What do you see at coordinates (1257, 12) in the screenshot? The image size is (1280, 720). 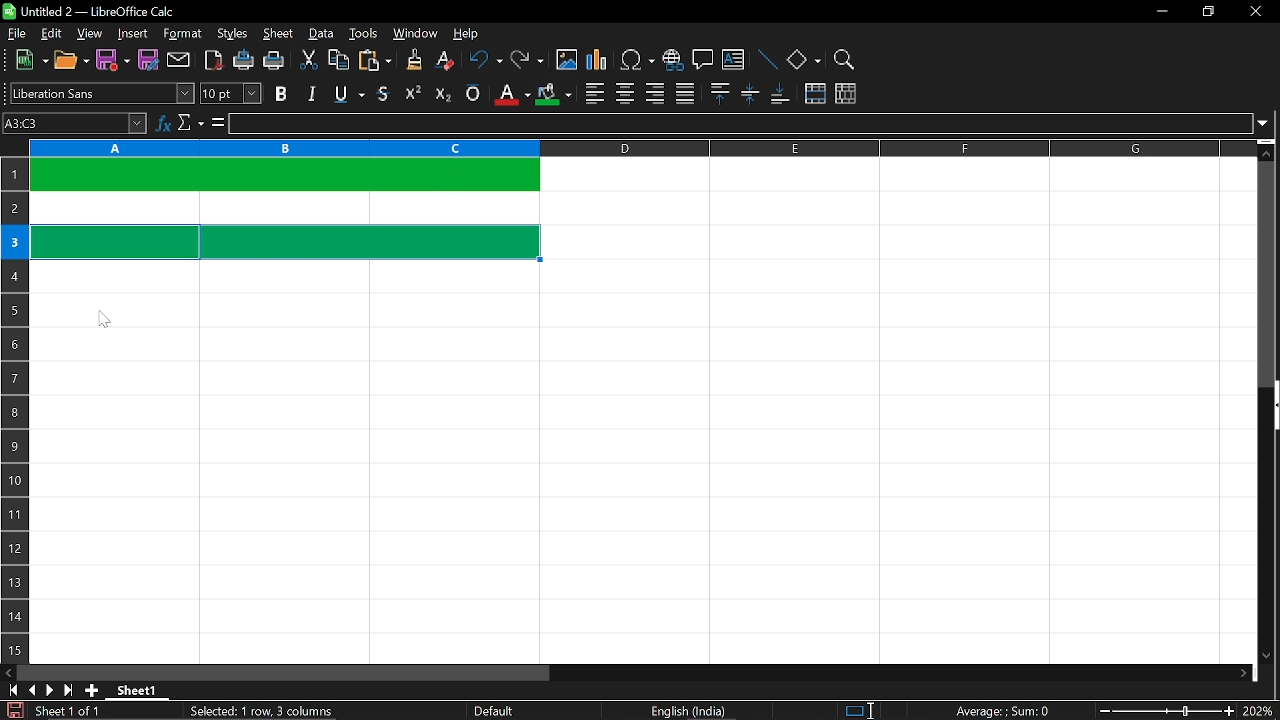 I see `close` at bounding box center [1257, 12].